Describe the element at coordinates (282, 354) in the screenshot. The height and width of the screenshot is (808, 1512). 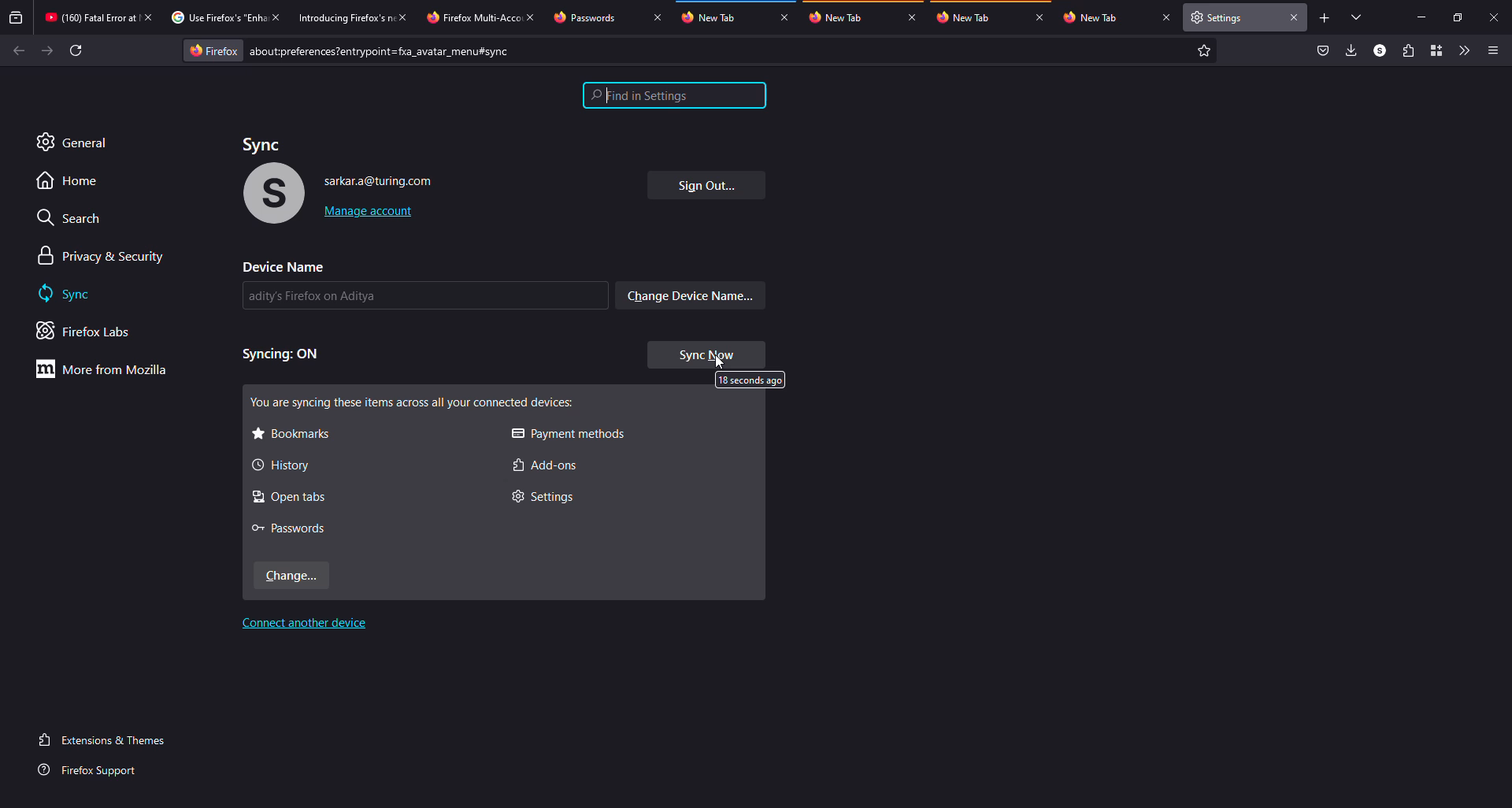
I see `syncing on` at that location.